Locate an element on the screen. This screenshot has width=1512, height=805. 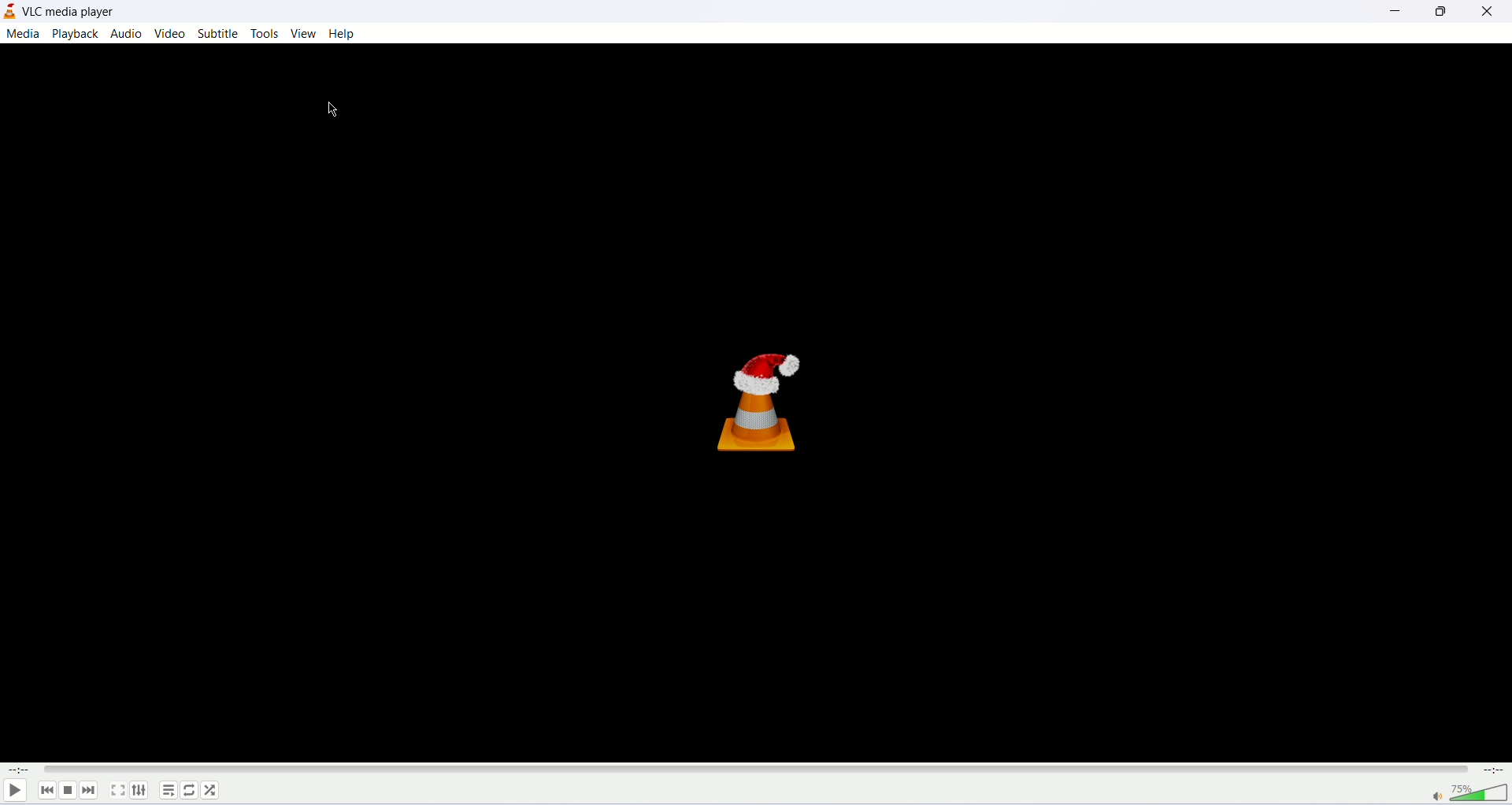
video is located at coordinates (172, 32).